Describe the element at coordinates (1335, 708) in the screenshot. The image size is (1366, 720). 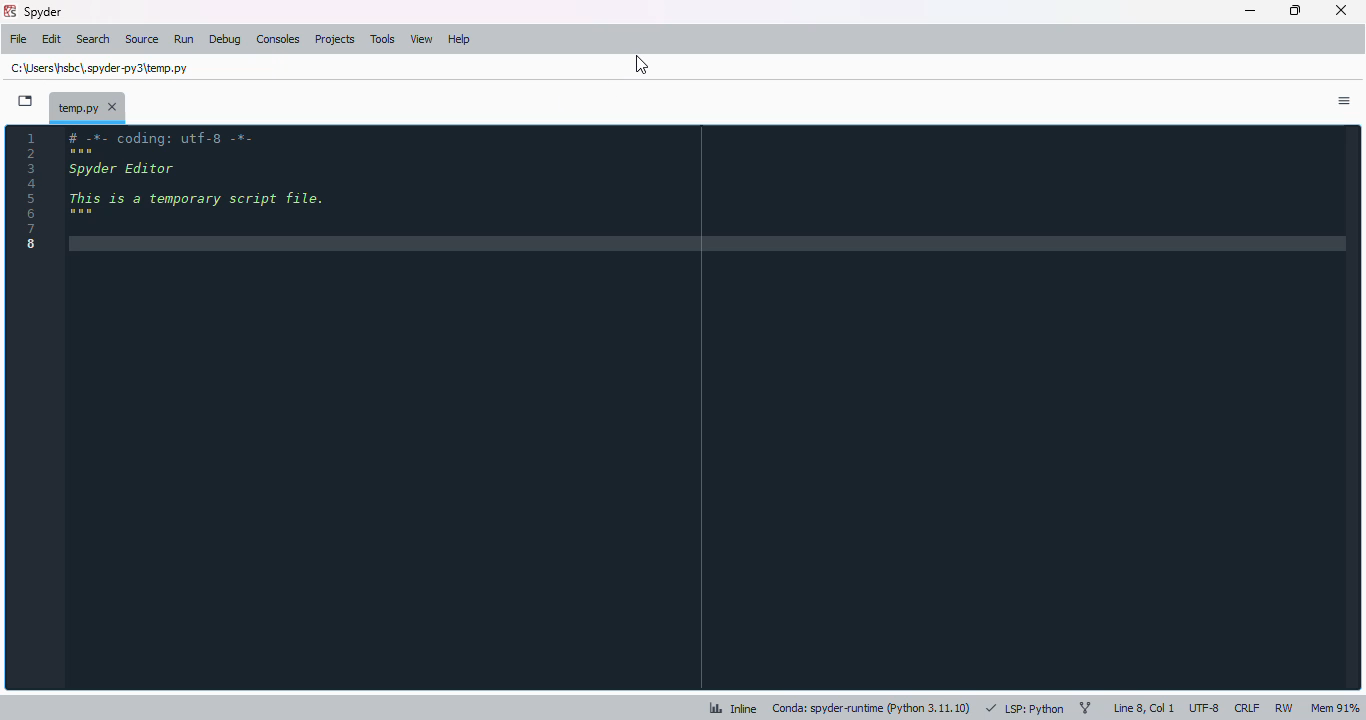
I see `Mem 91%` at that location.